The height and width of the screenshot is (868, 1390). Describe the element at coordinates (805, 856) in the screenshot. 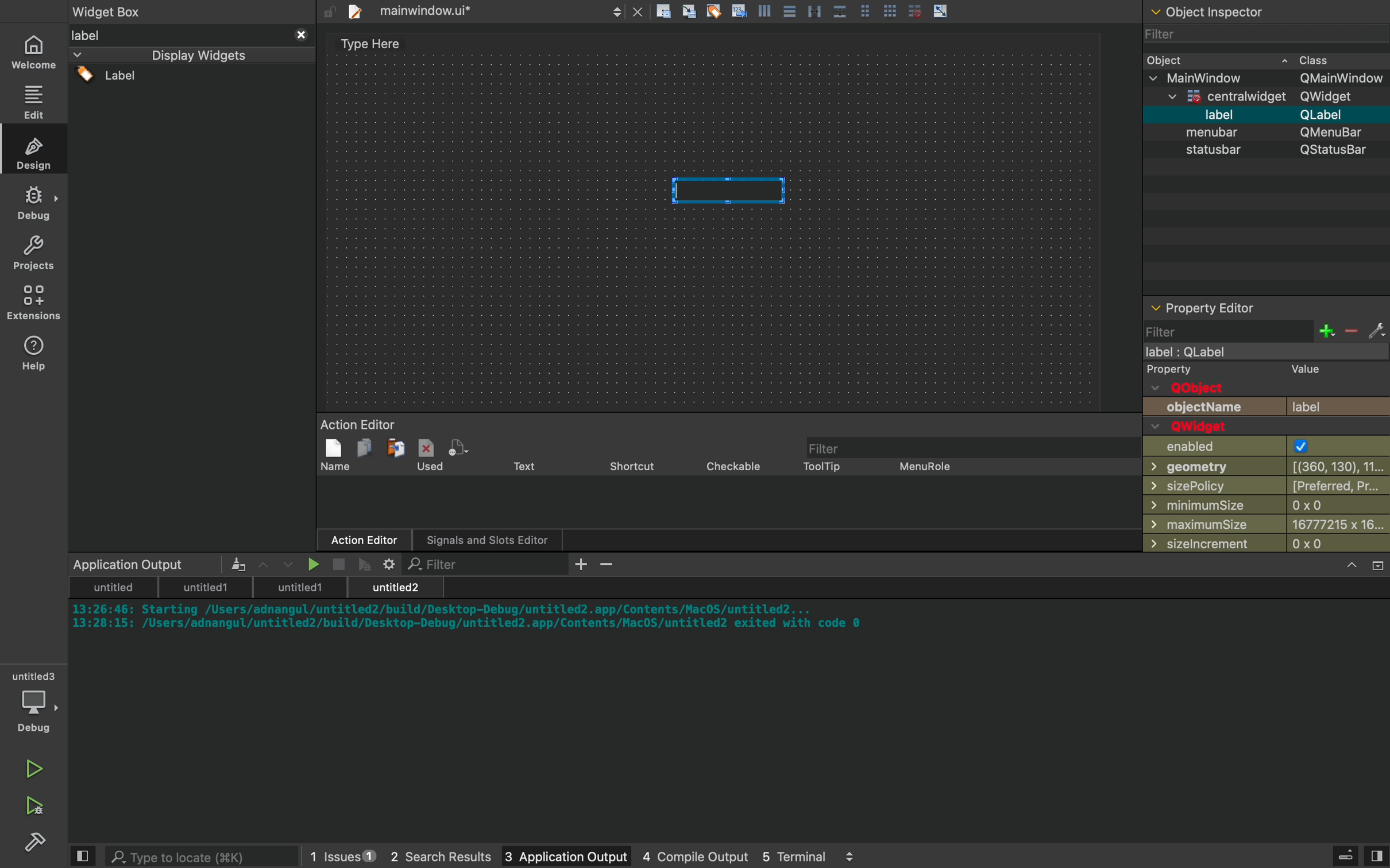

I see `5 terminal` at that location.